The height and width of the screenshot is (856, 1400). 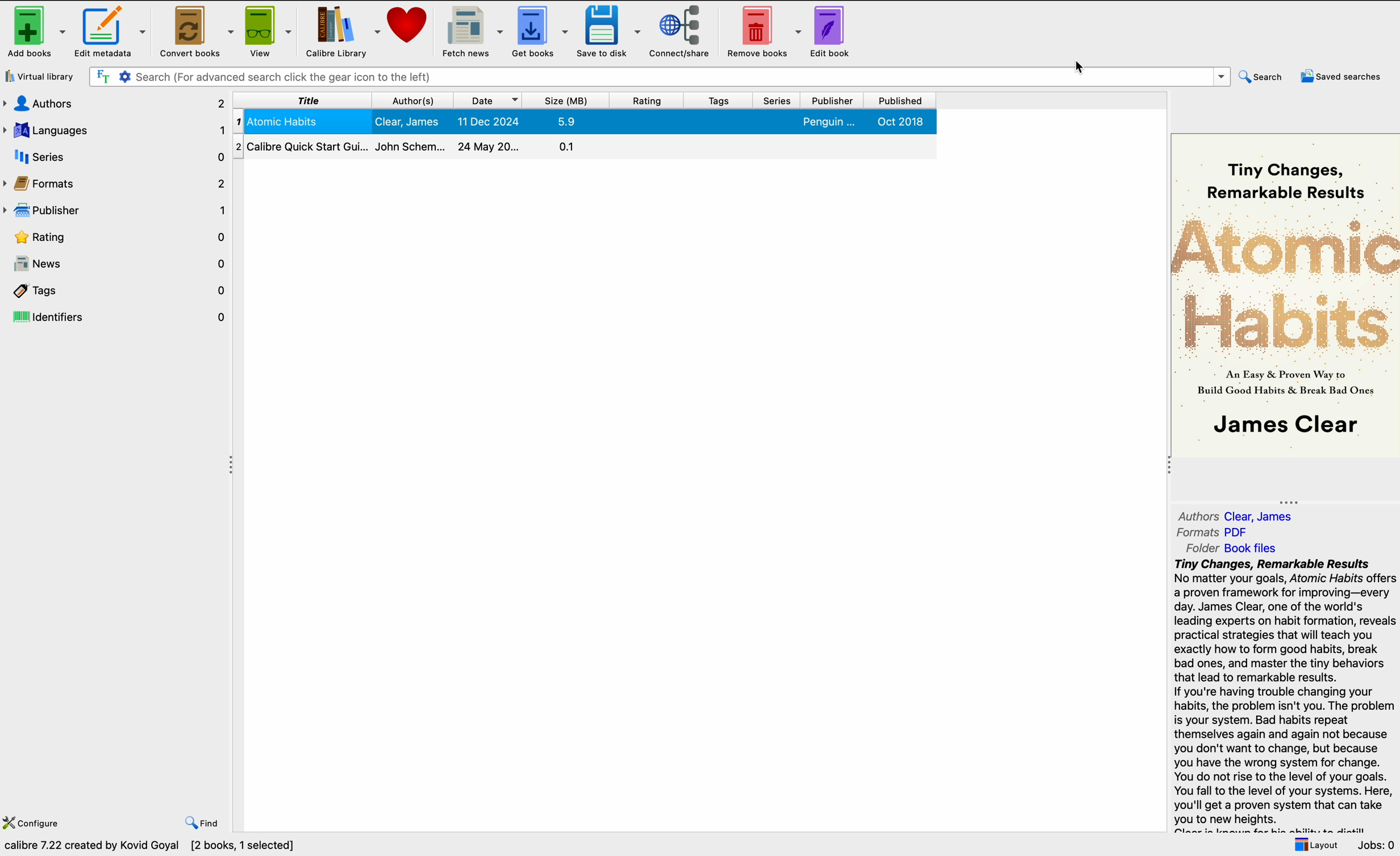 I want to click on formats, so click(x=115, y=184).